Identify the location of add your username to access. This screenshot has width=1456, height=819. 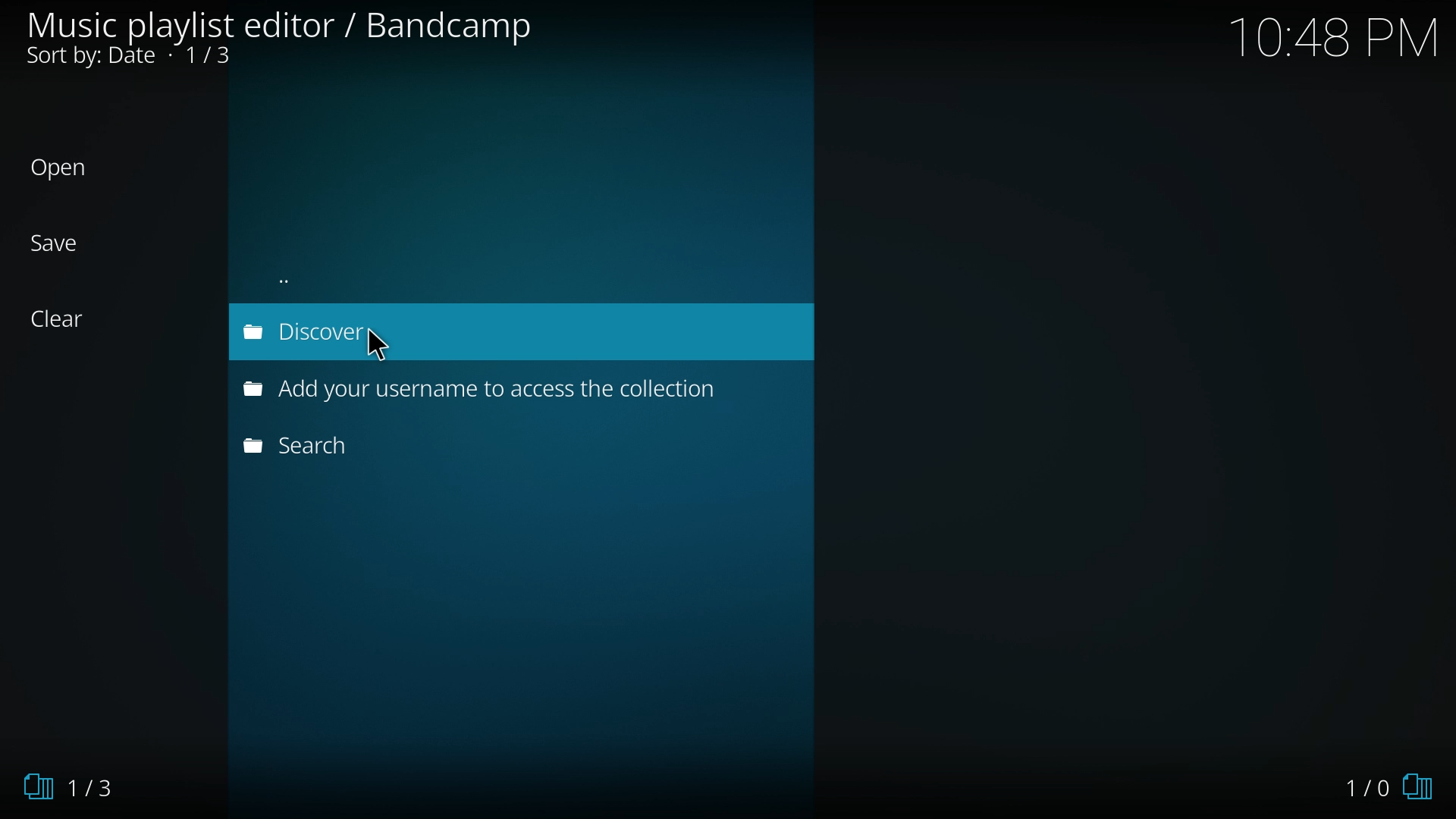
(480, 391).